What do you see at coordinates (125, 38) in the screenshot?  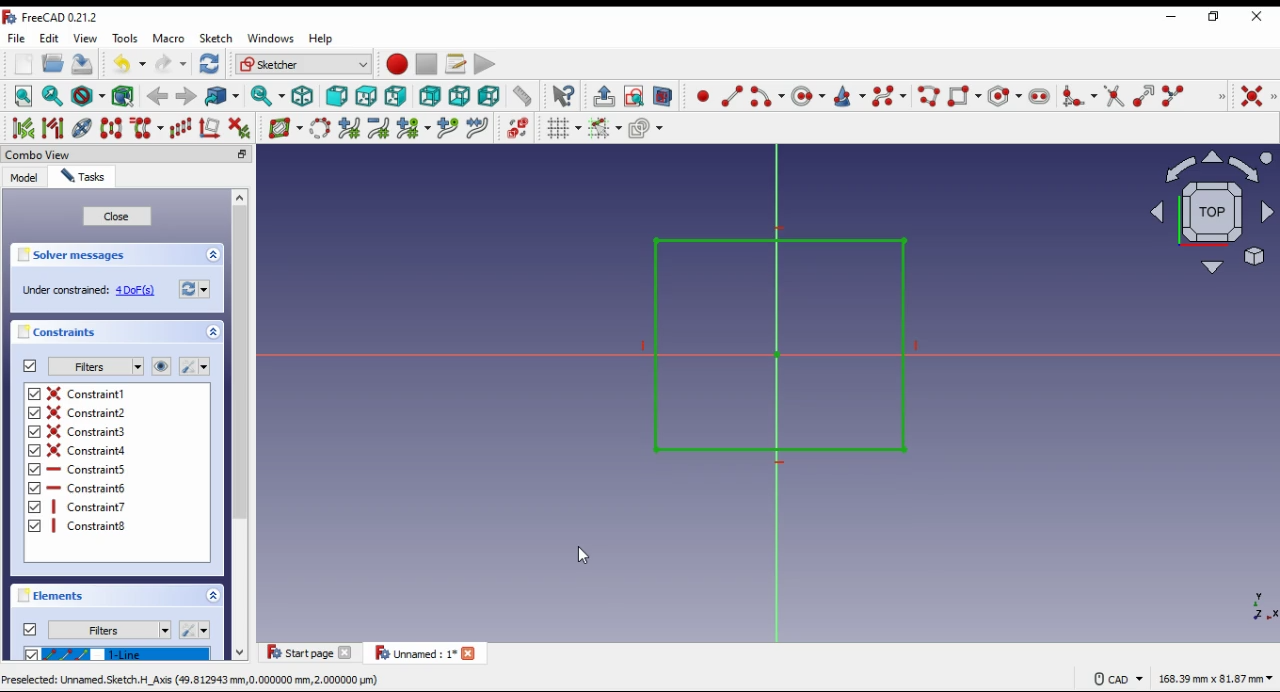 I see `tools` at bounding box center [125, 38].